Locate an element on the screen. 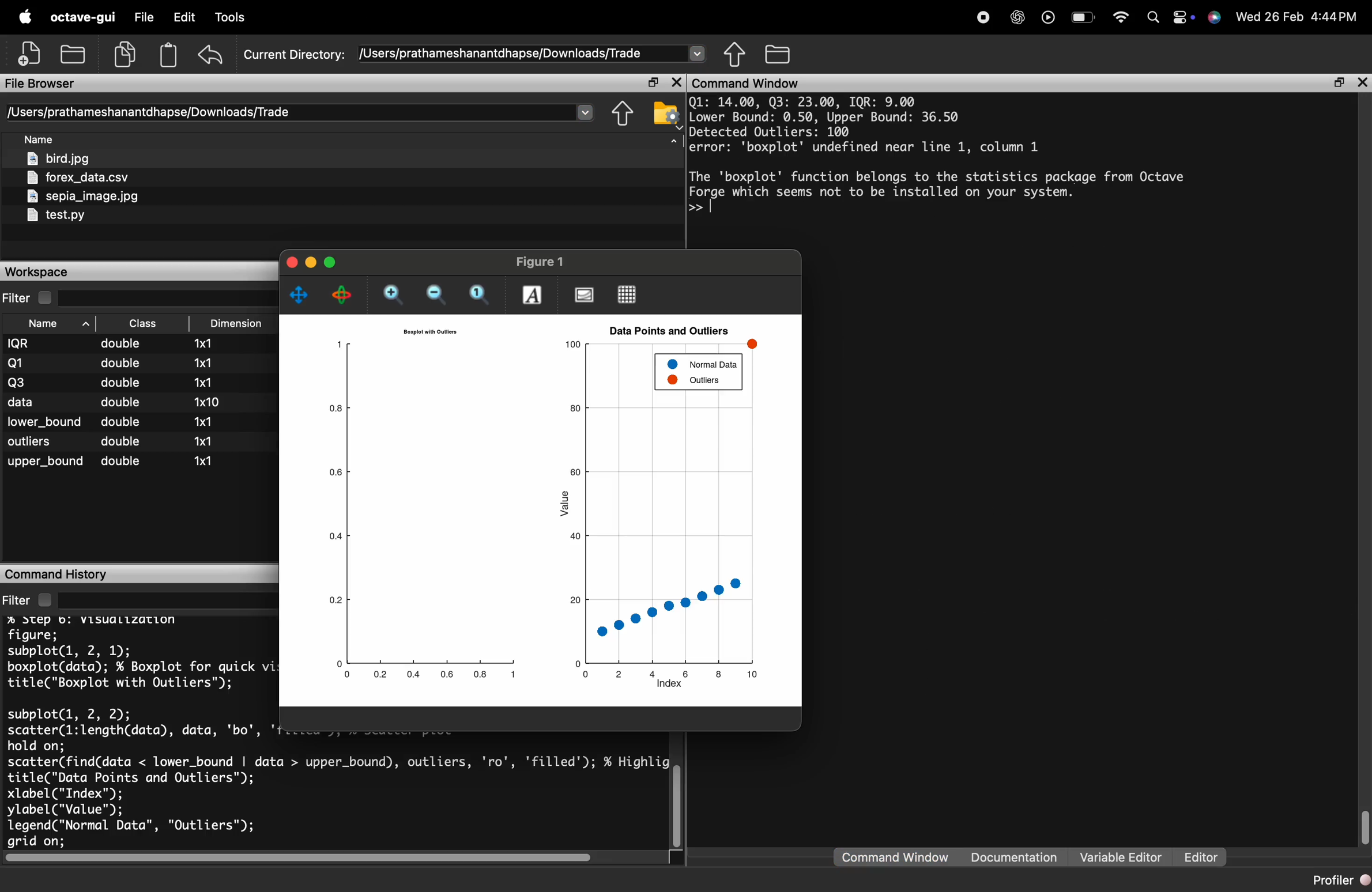 This screenshot has height=892, width=1372. add file is located at coordinates (31, 53).